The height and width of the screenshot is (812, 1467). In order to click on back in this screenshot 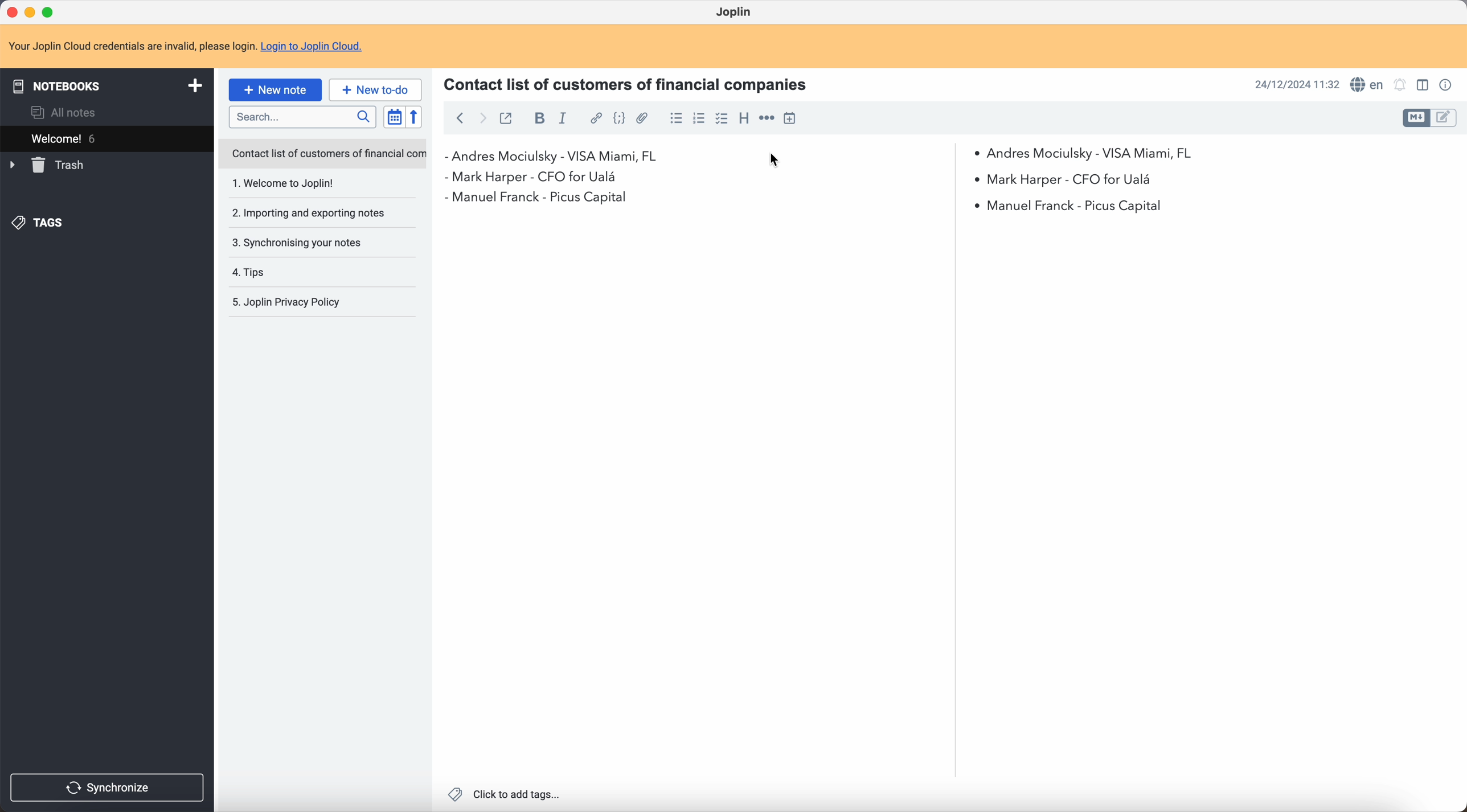, I will do `click(460, 117)`.